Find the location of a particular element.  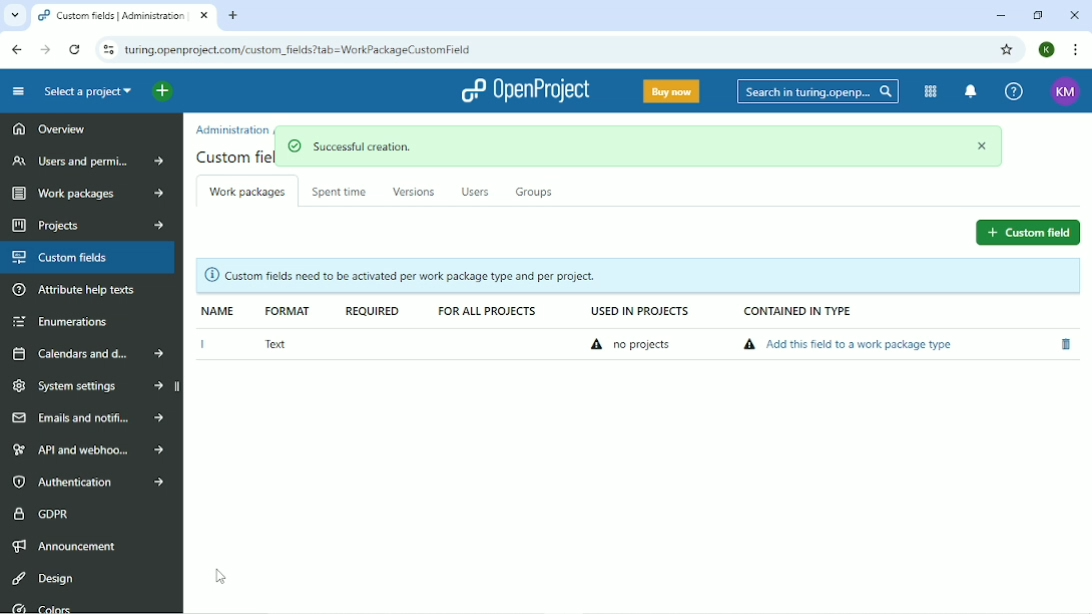

Bookmark this tab is located at coordinates (1008, 50).